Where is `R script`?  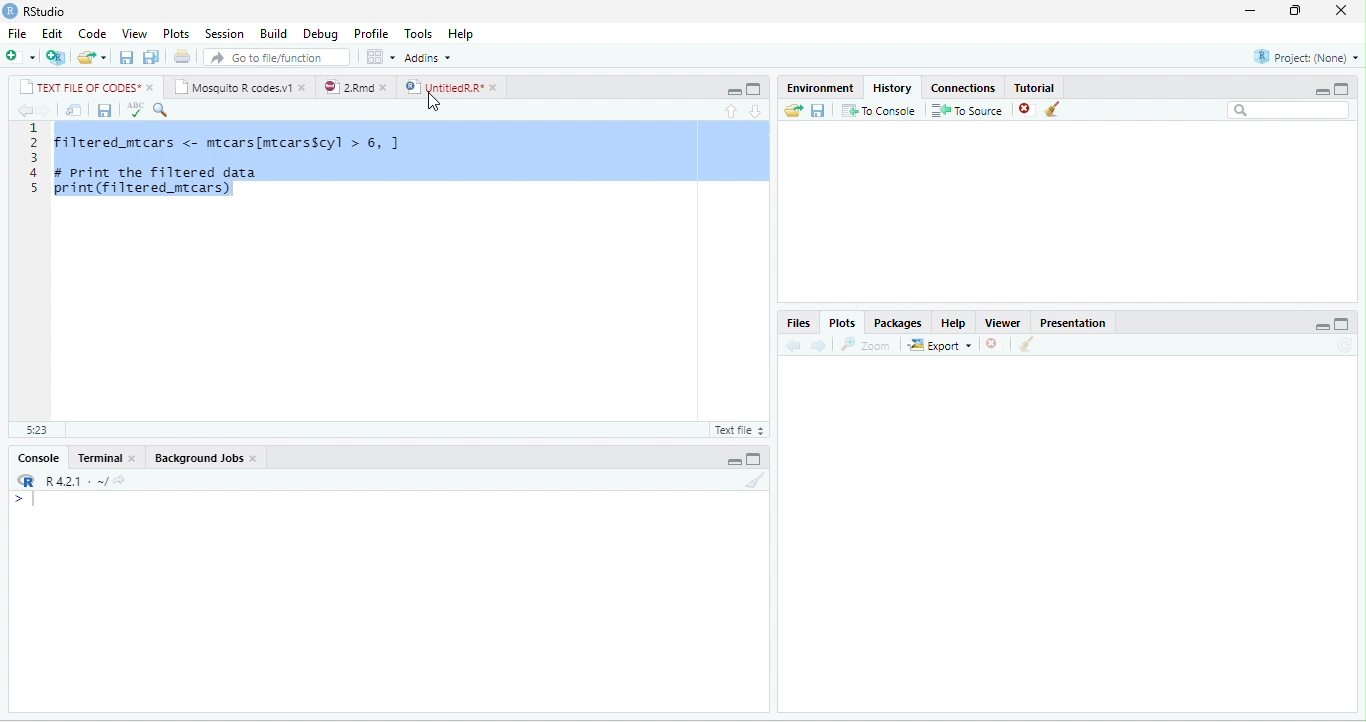 R script is located at coordinates (738, 430).